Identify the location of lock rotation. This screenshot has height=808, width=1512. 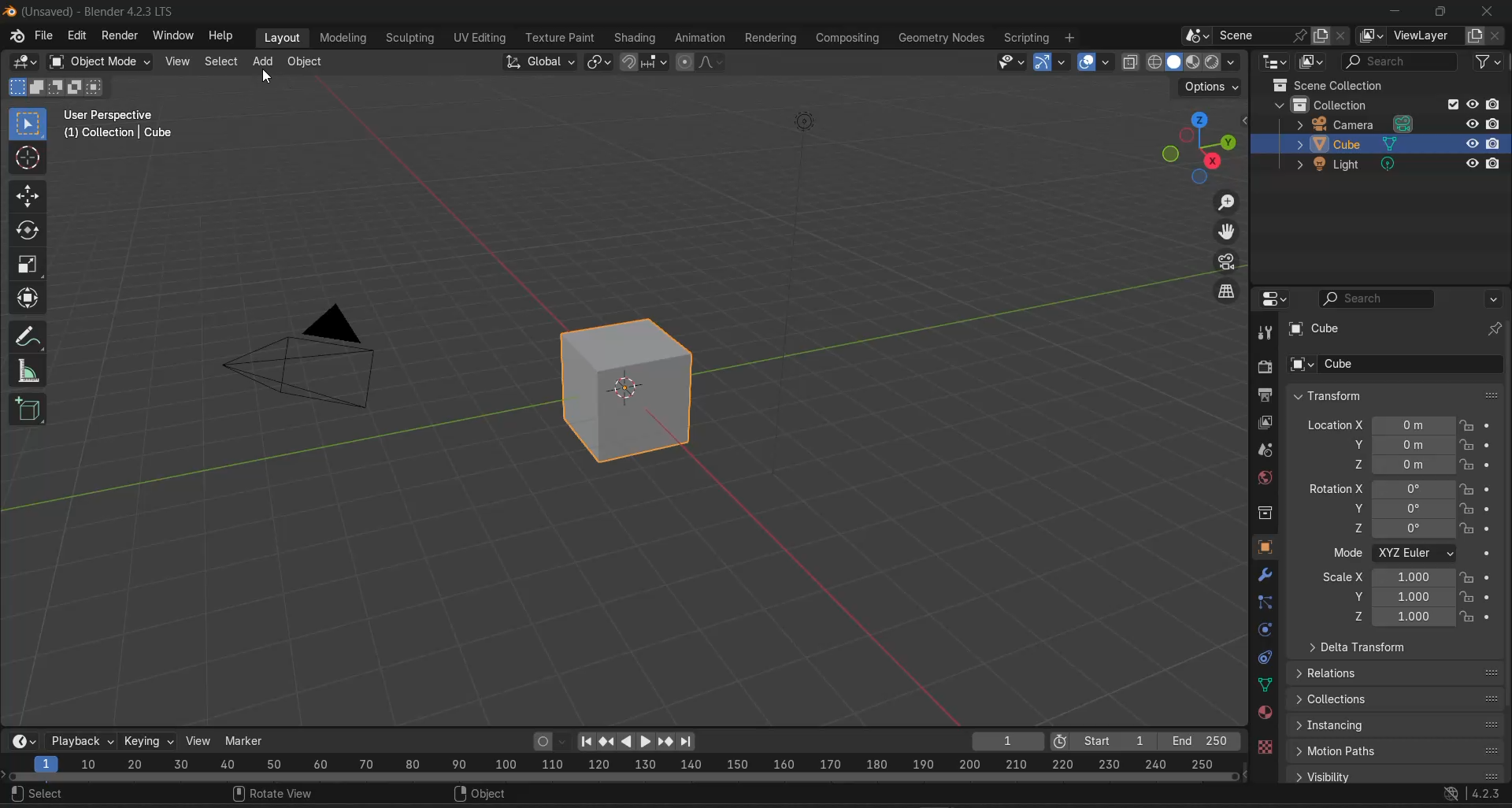
(1469, 489).